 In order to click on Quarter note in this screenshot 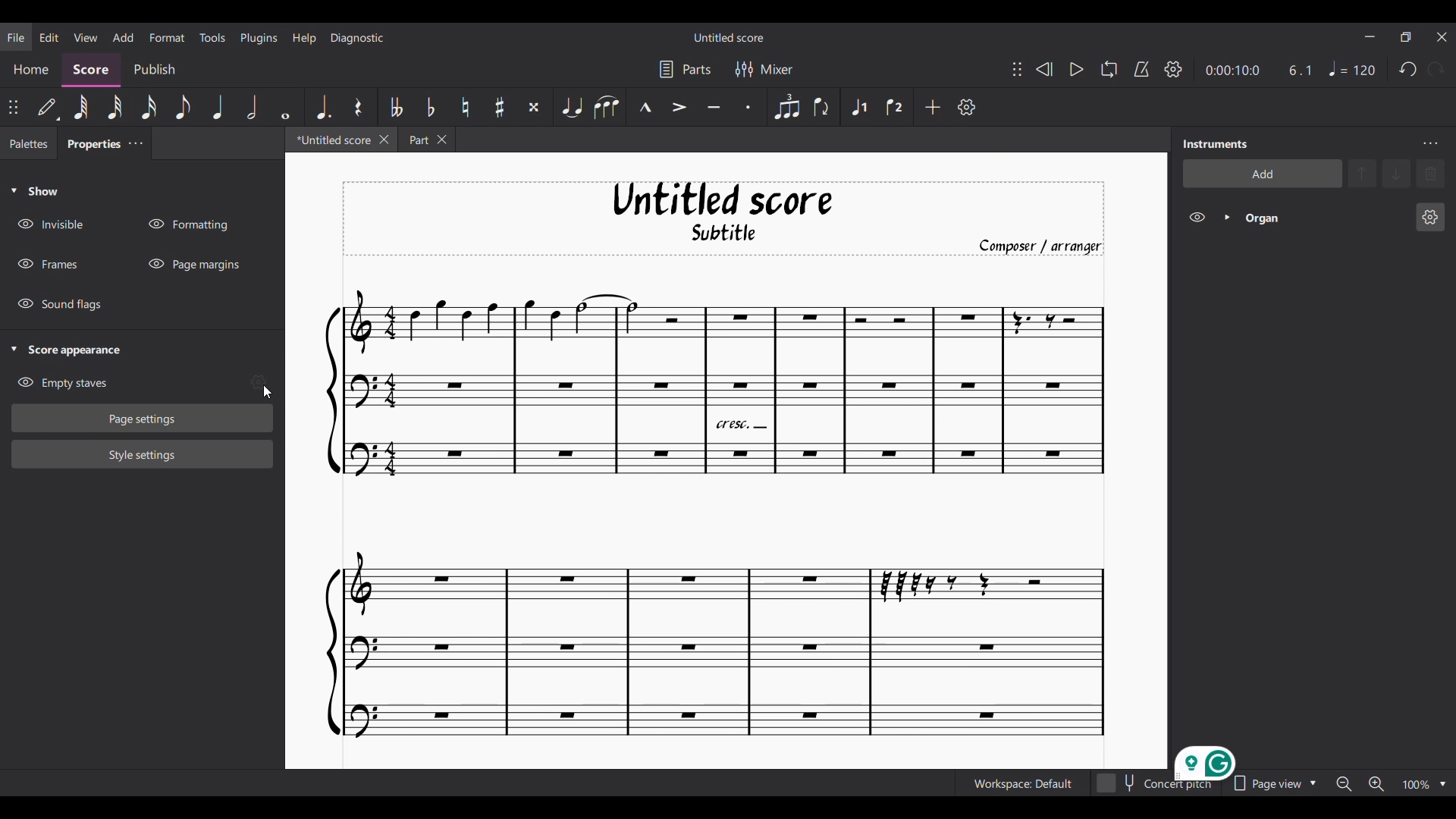, I will do `click(218, 107)`.